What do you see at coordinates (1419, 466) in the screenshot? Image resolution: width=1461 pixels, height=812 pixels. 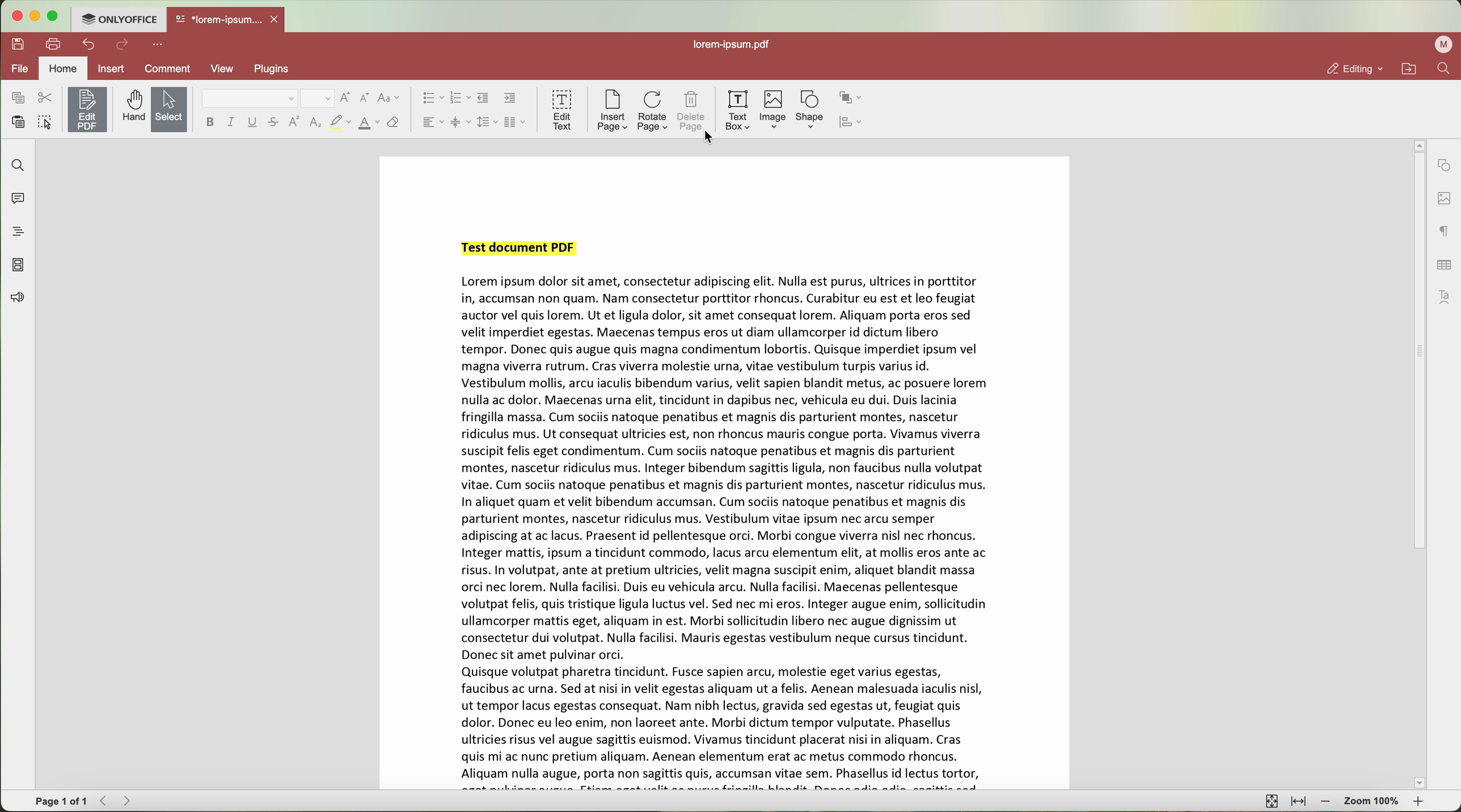 I see `scroll bar` at bounding box center [1419, 466].